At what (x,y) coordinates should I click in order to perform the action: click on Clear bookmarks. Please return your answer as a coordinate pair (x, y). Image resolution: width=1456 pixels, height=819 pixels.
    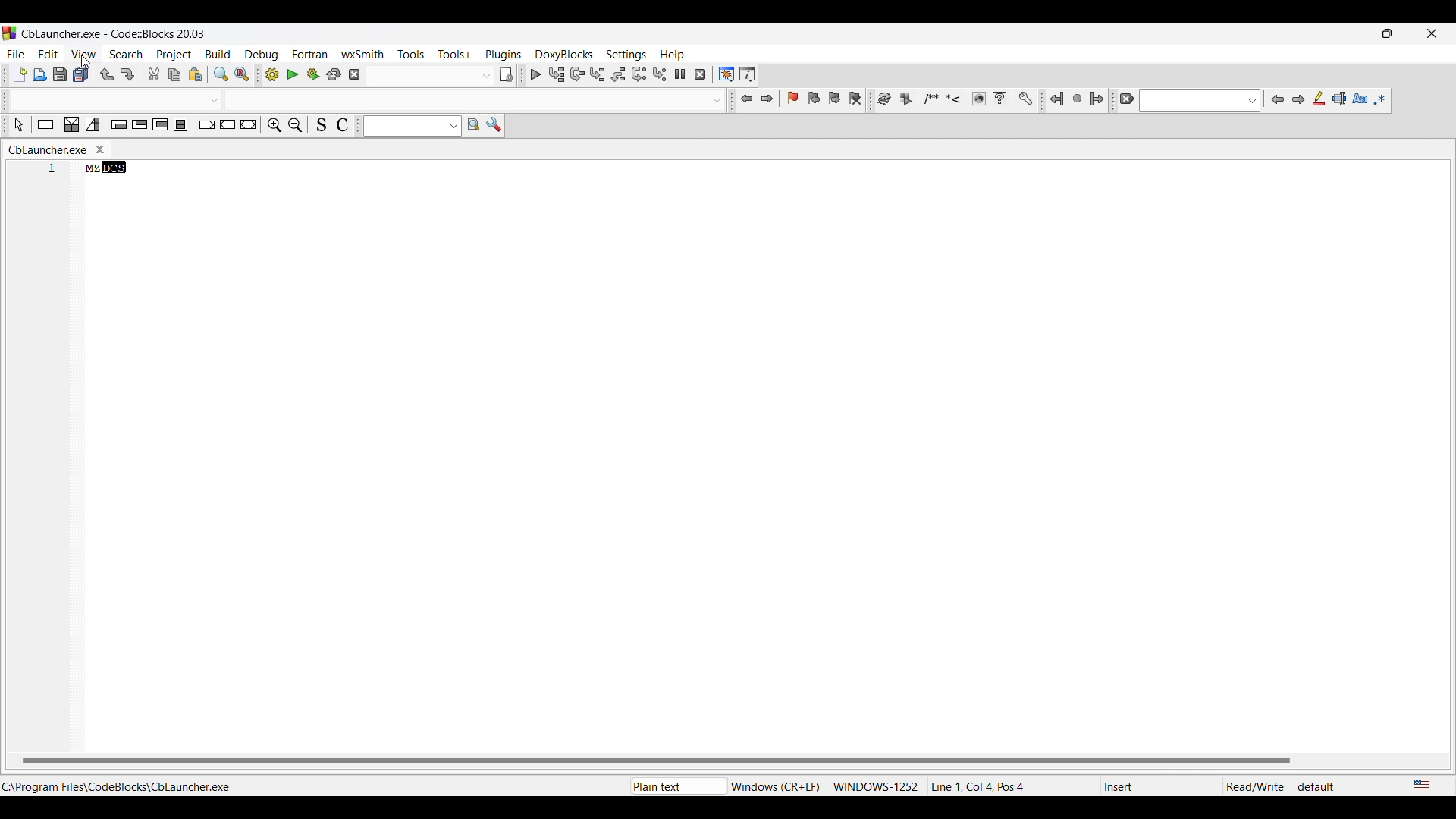
    Looking at the image, I should click on (855, 98).